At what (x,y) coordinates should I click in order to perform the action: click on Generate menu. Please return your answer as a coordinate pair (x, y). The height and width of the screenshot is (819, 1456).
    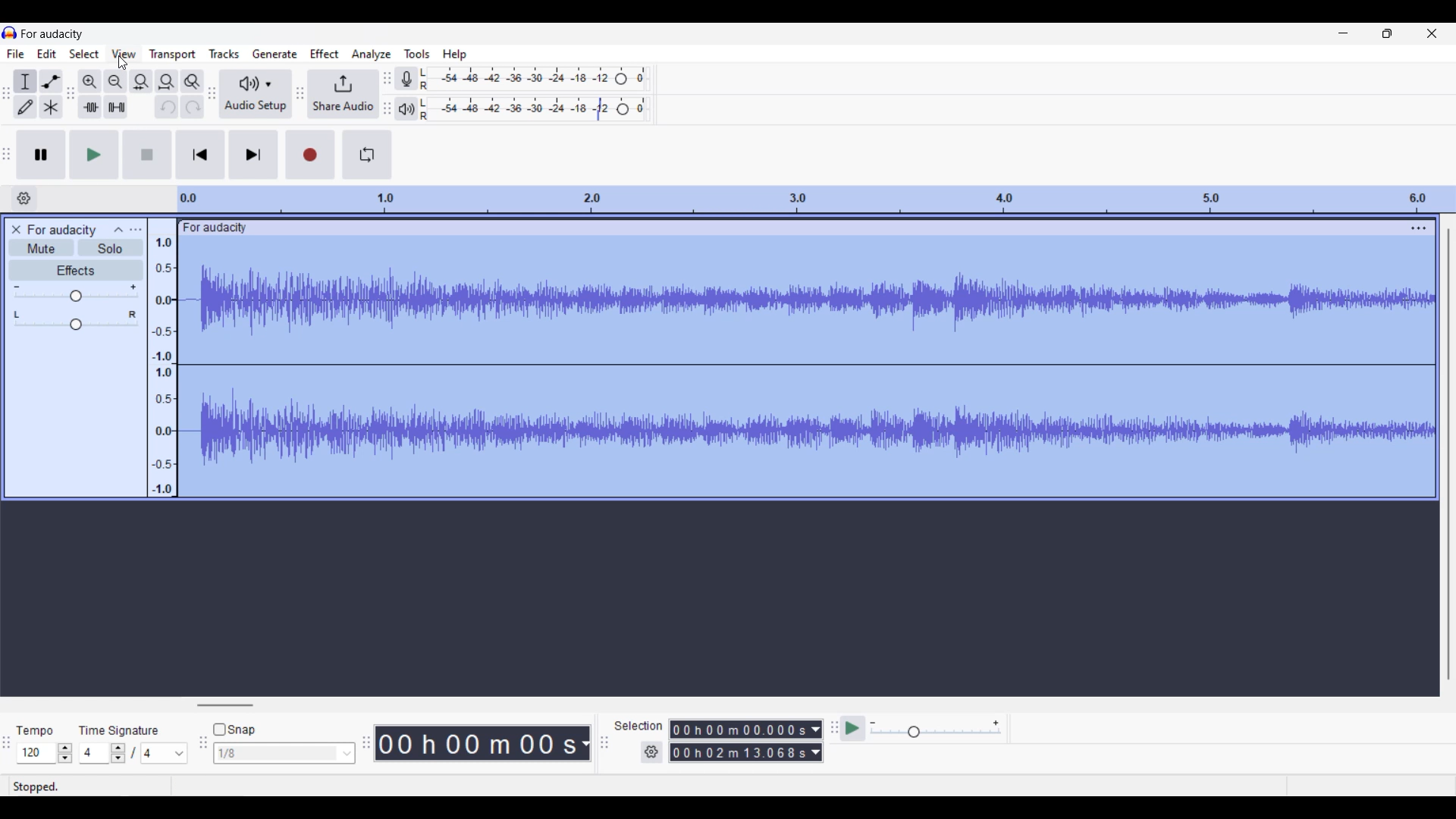
    Looking at the image, I should click on (275, 54).